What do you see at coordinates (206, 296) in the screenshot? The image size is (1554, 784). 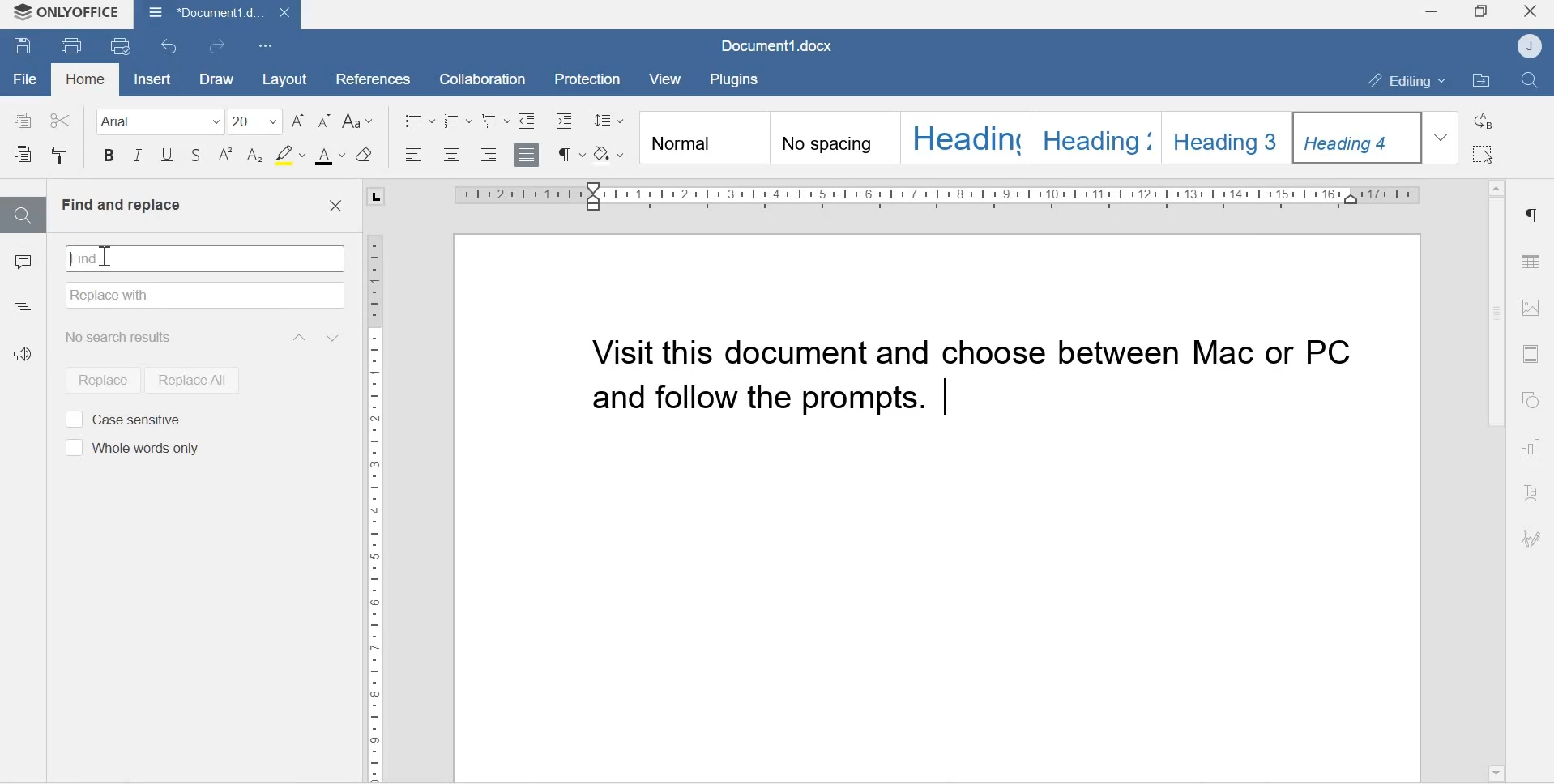 I see `Replace with` at bounding box center [206, 296].